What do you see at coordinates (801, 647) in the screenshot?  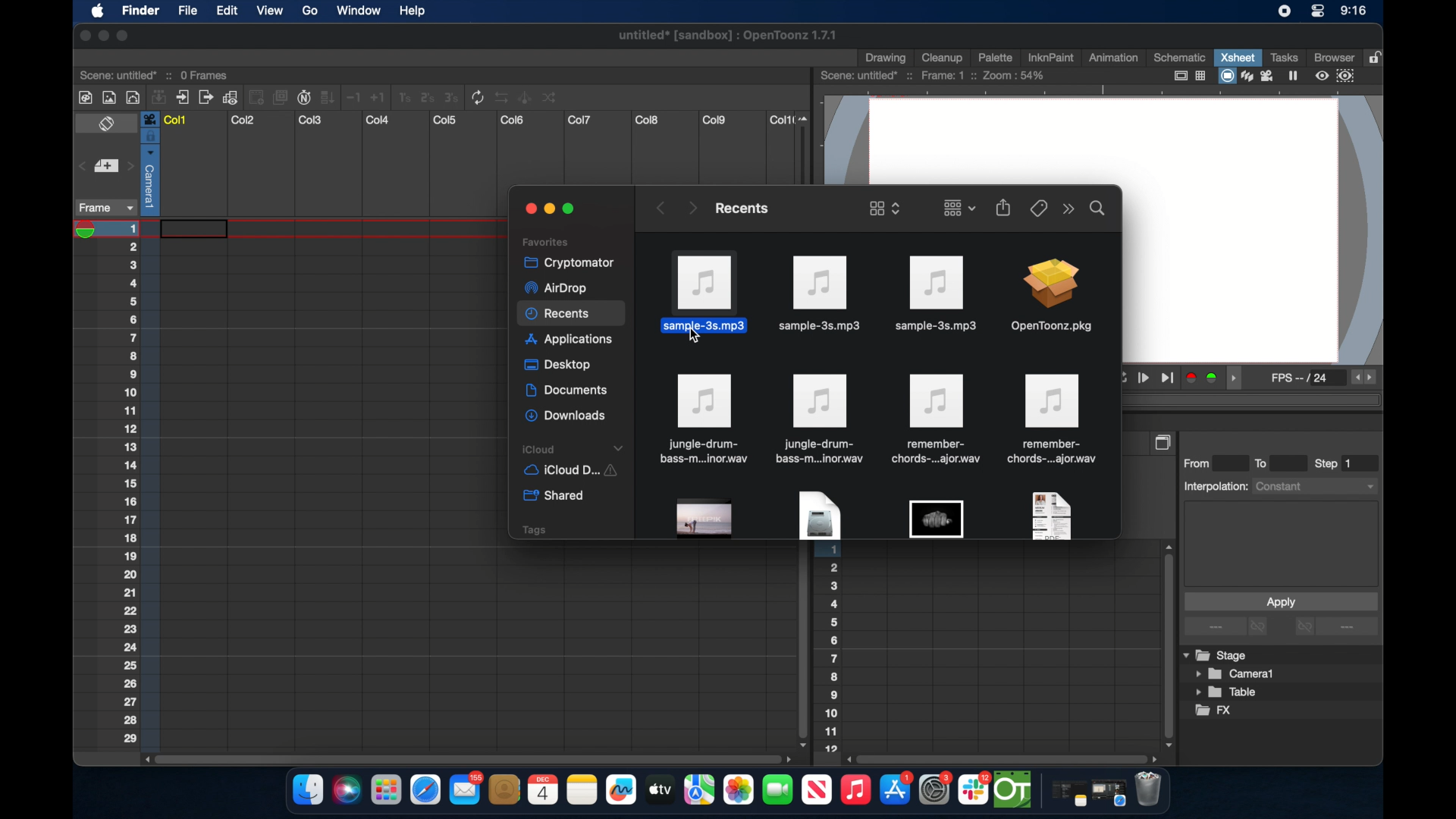 I see `scroll box` at bounding box center [801, 647].